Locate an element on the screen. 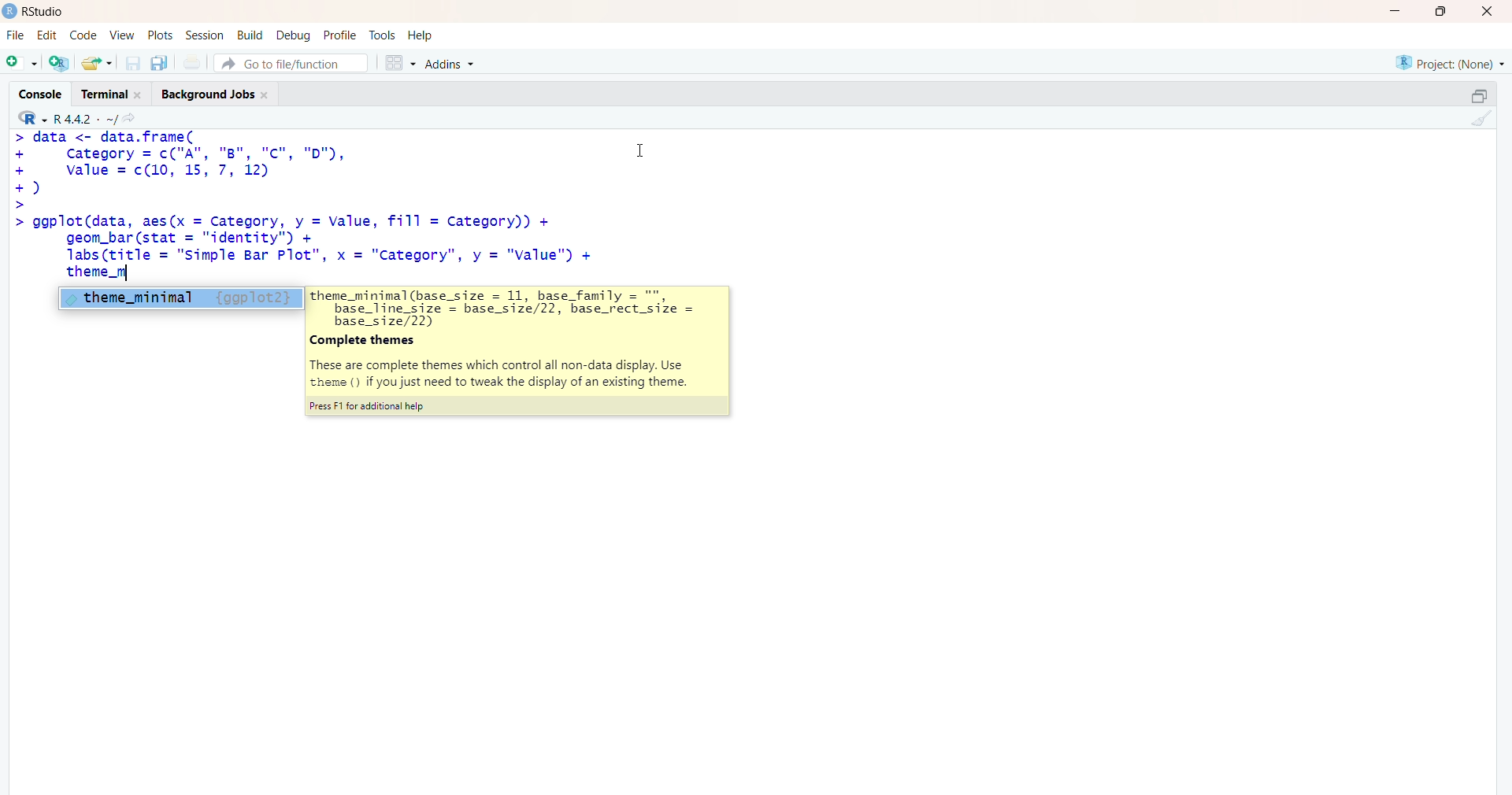 This screenshot has height=795, width=1512. File is located at coordinates (16, 35).